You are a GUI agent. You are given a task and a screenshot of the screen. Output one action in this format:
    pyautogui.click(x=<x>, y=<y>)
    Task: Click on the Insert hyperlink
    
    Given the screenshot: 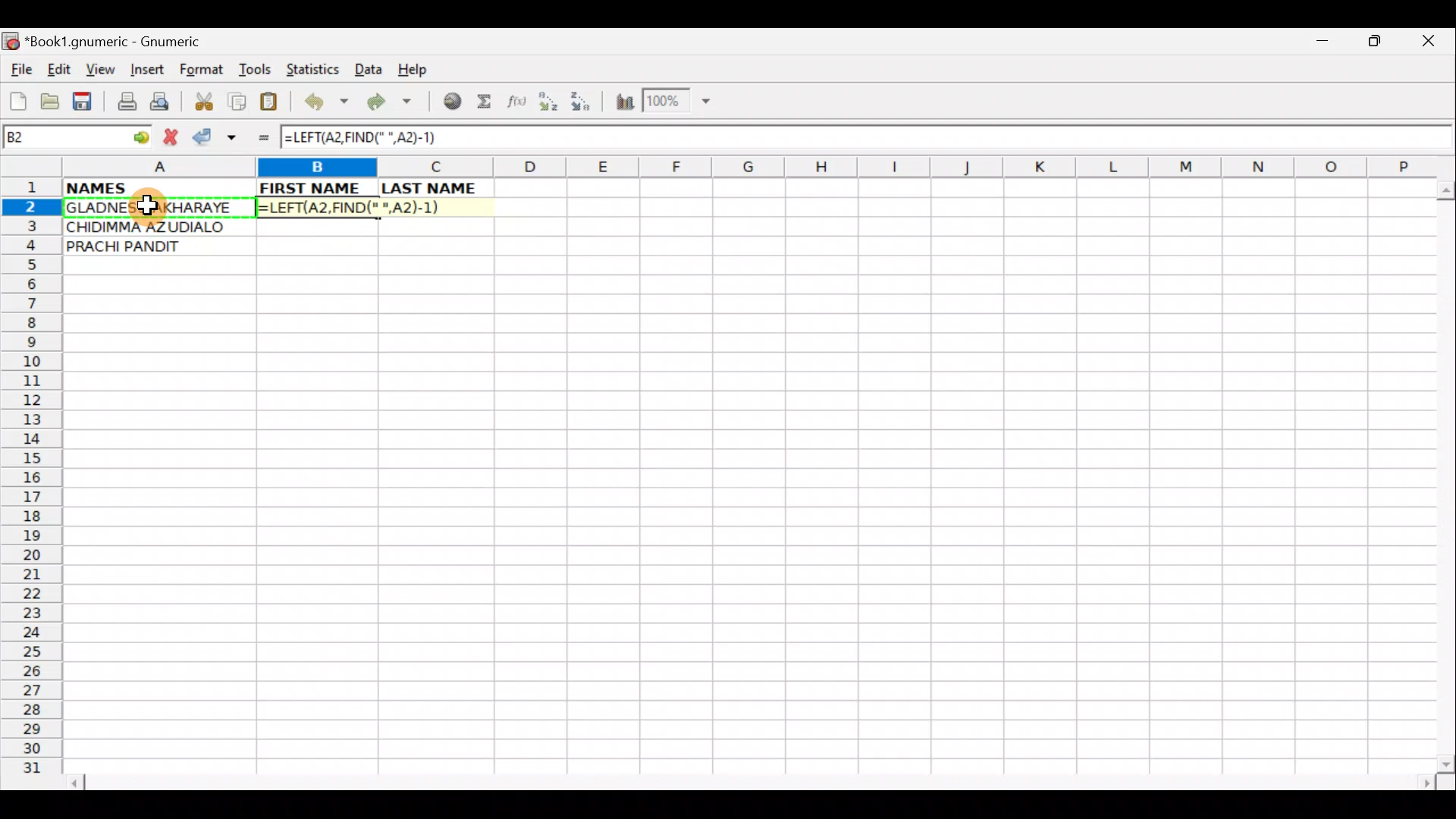 What is the action you would take?
    pyautogui.click(x=450, y=102)
    